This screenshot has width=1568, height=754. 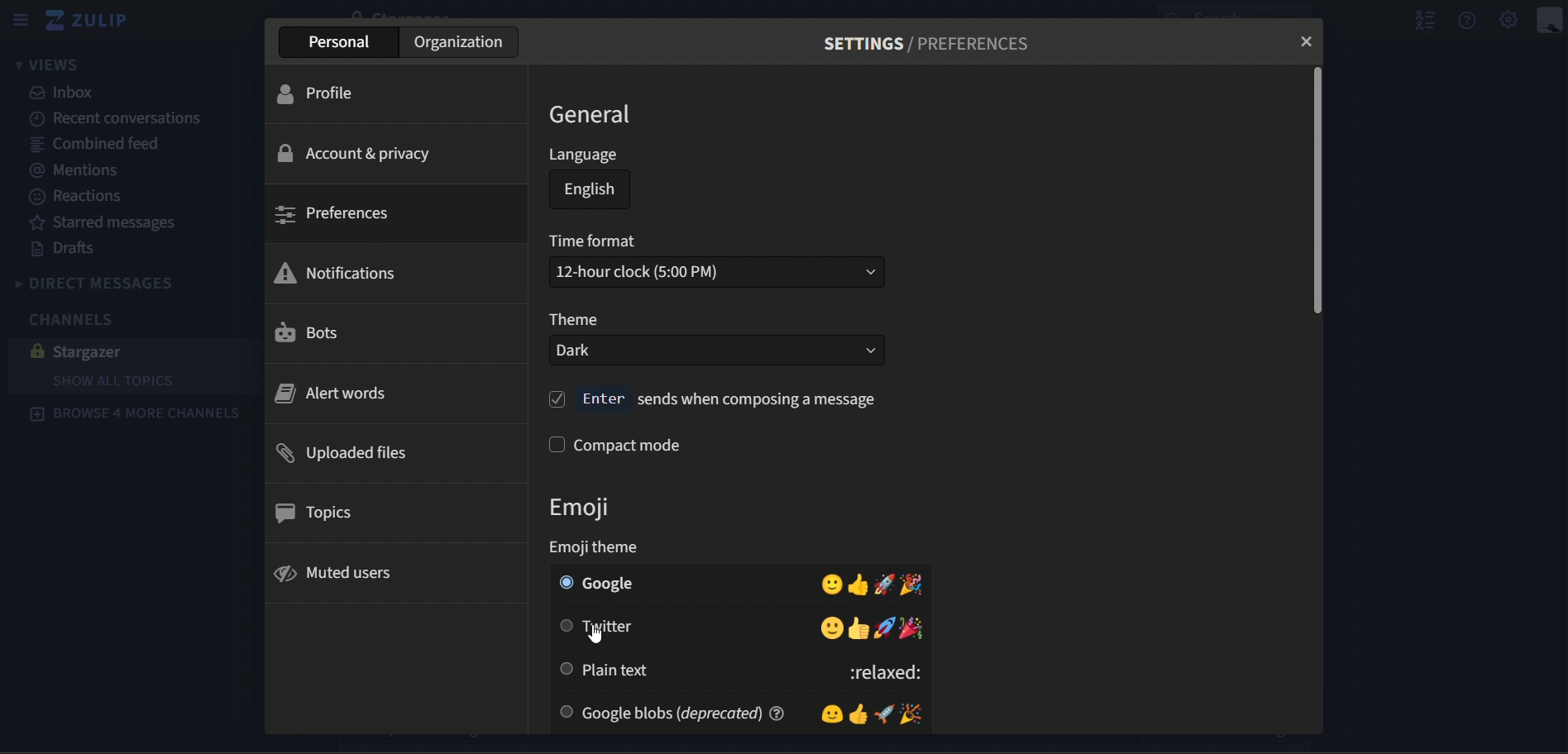 I want to click on profile, so click(x=328, y=95).